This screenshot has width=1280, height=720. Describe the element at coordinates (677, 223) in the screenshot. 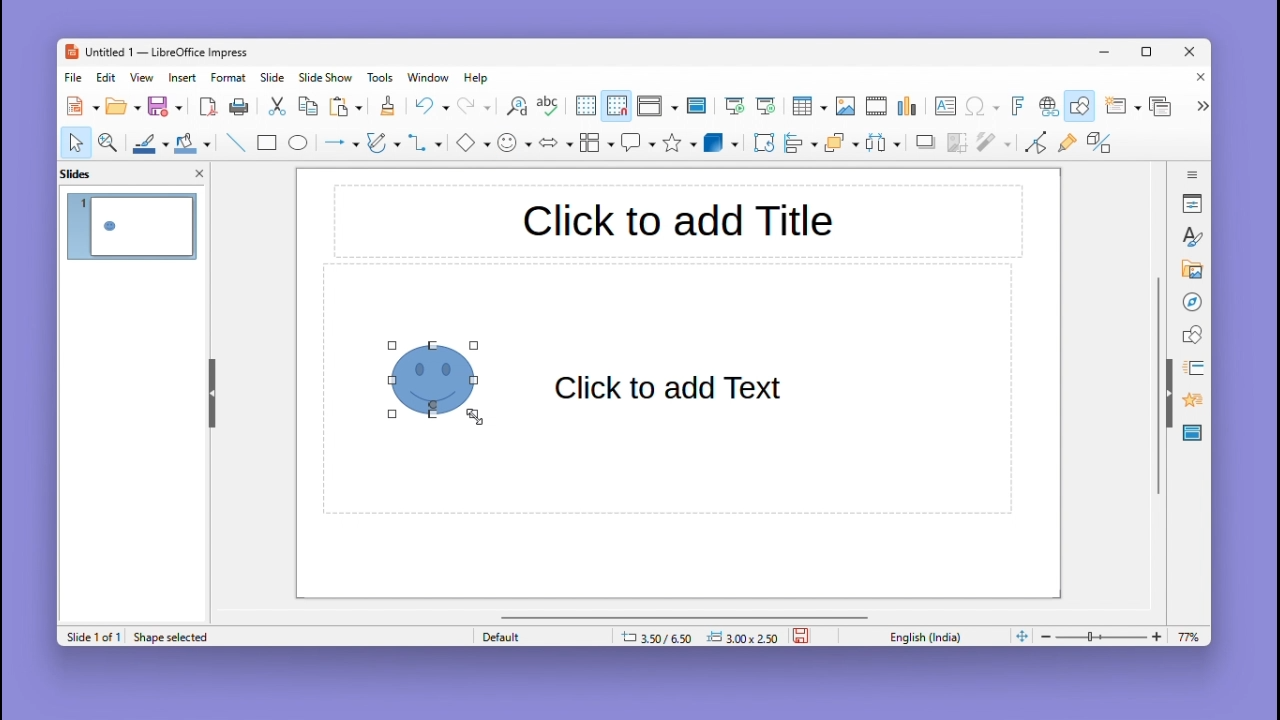

I see `Title` at that location.